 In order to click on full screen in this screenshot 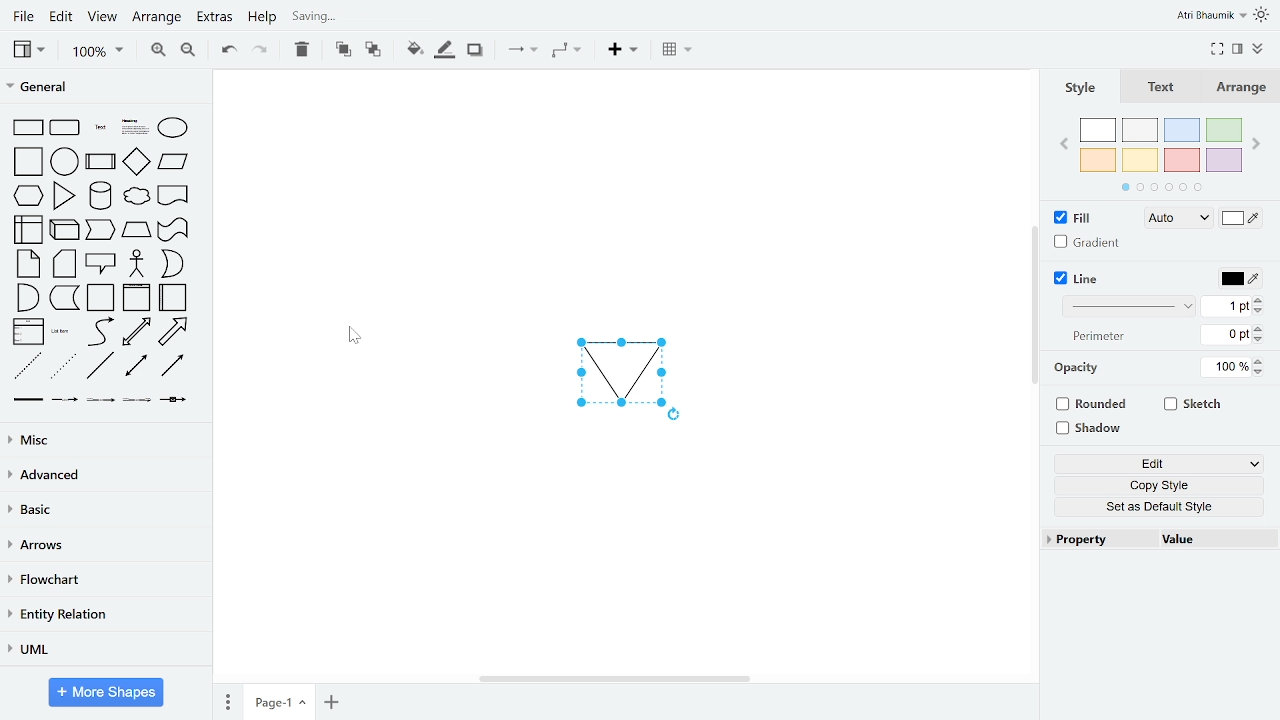, I will do `click(1218, 47)`.